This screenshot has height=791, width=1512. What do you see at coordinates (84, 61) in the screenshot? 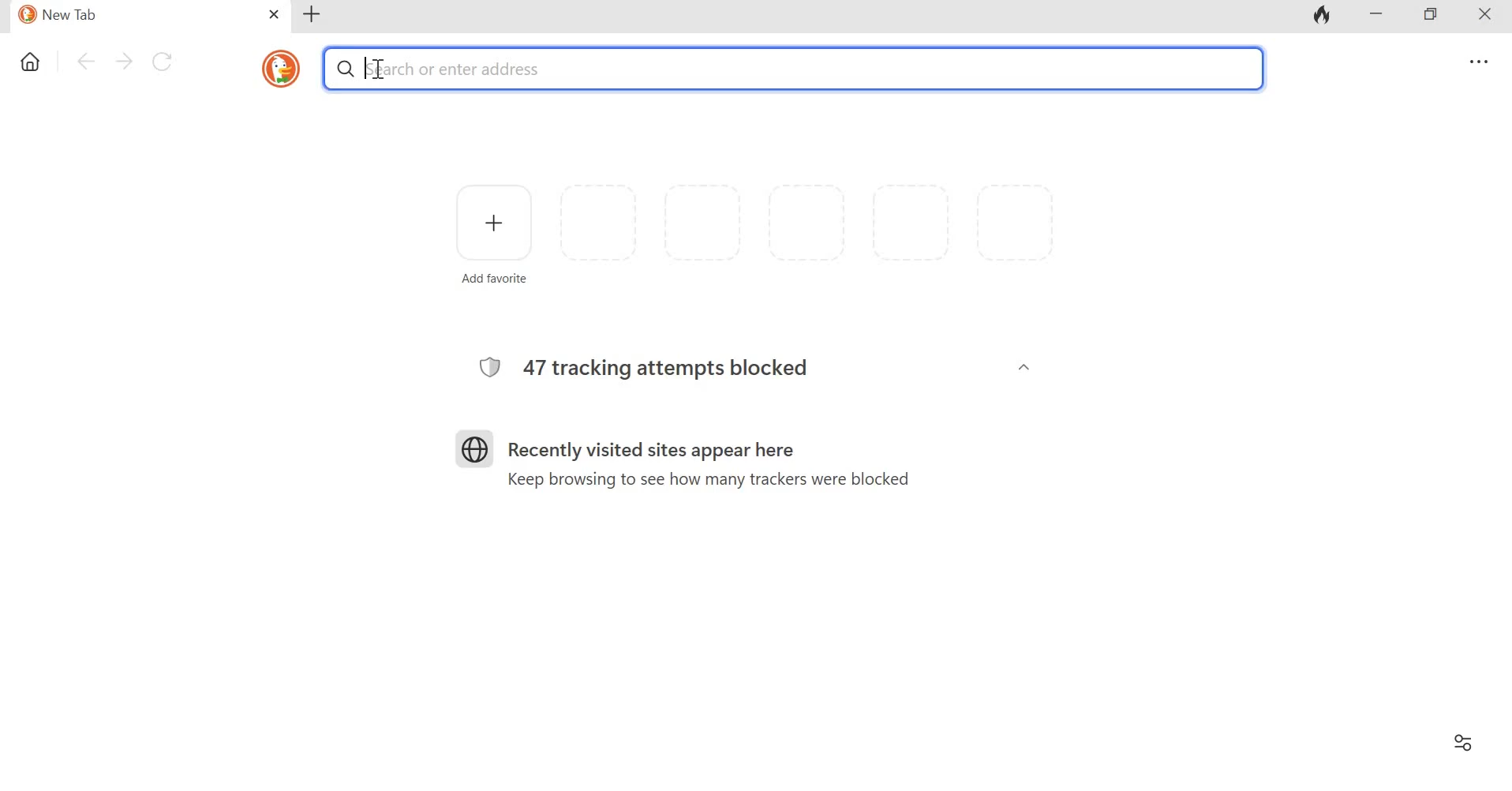
I see `Go back one page` at bounding box center [84, 61].